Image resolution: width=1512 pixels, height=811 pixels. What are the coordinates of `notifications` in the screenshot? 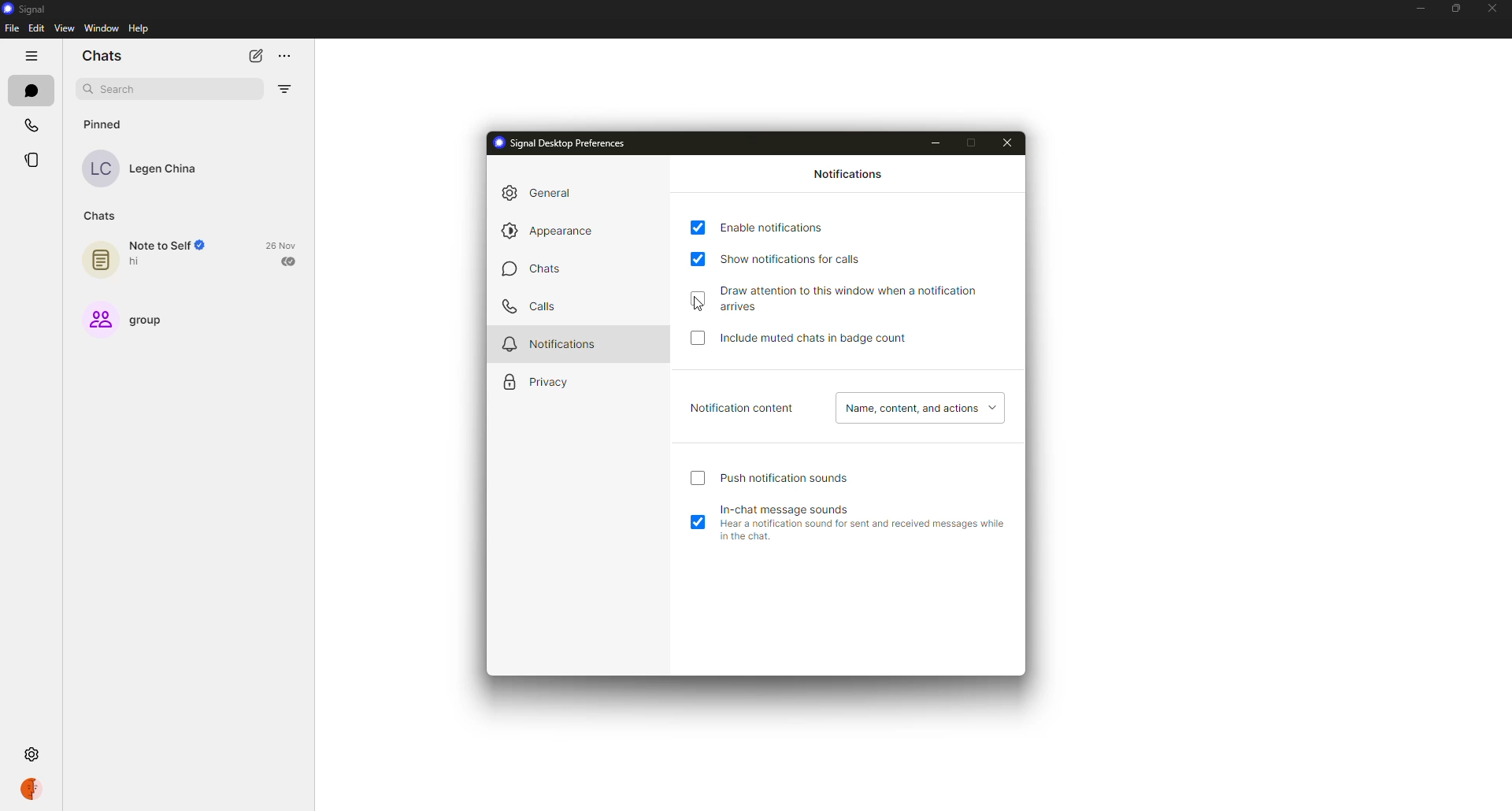 It's located at (850, 176).